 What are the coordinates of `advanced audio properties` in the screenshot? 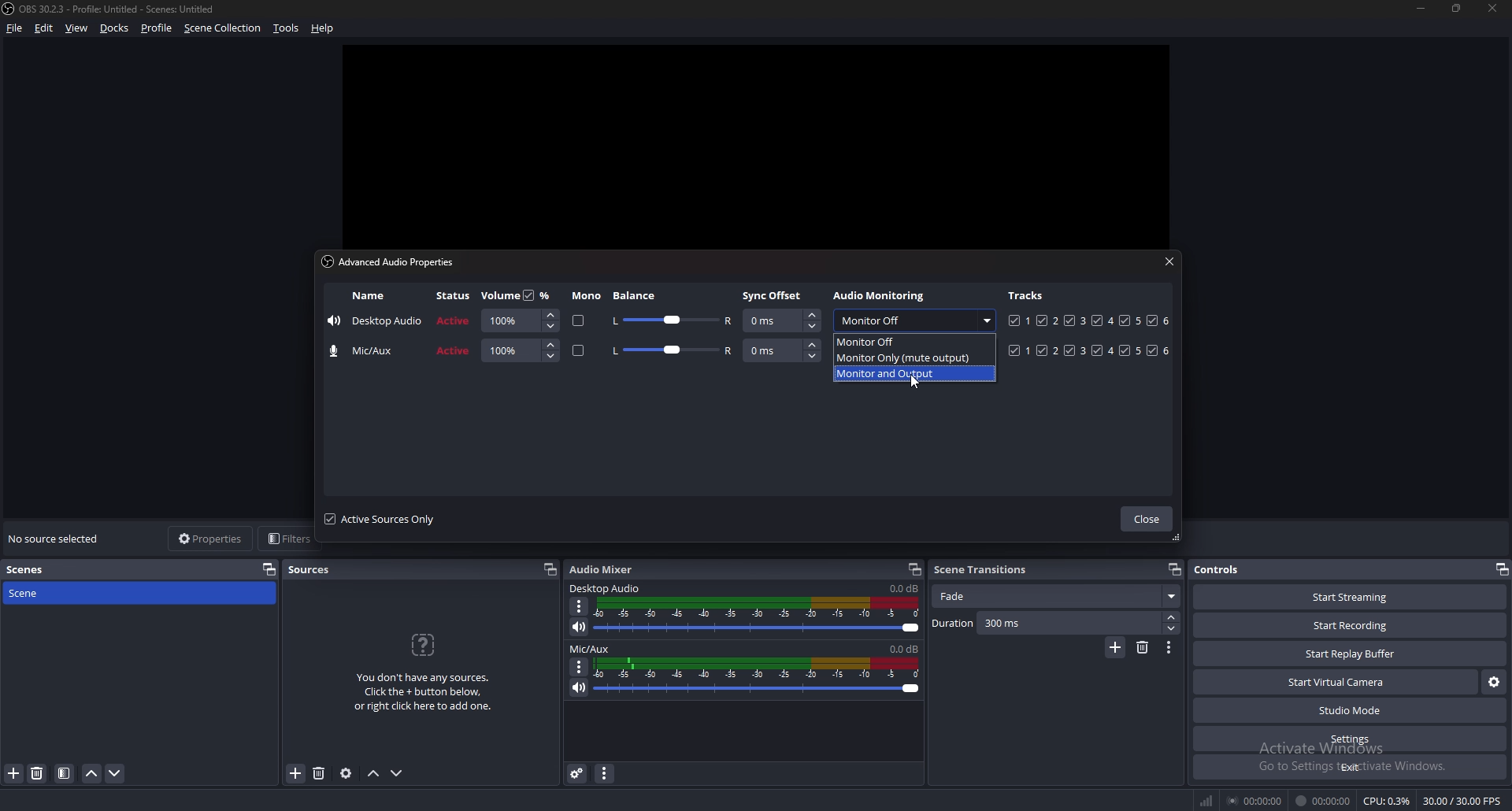 It's located at (388, 261).